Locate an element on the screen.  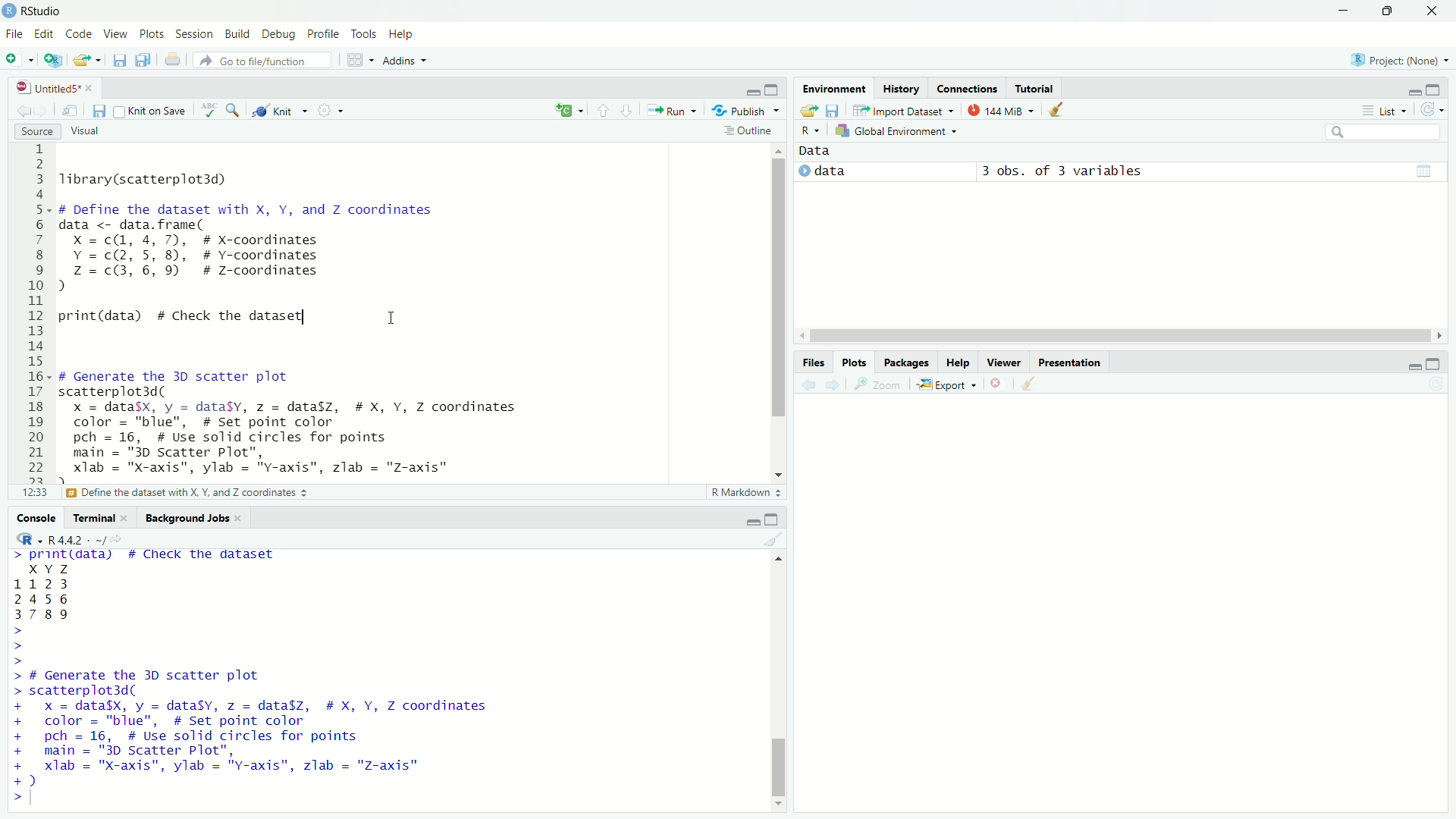
data is located at coordinates (817, 151).